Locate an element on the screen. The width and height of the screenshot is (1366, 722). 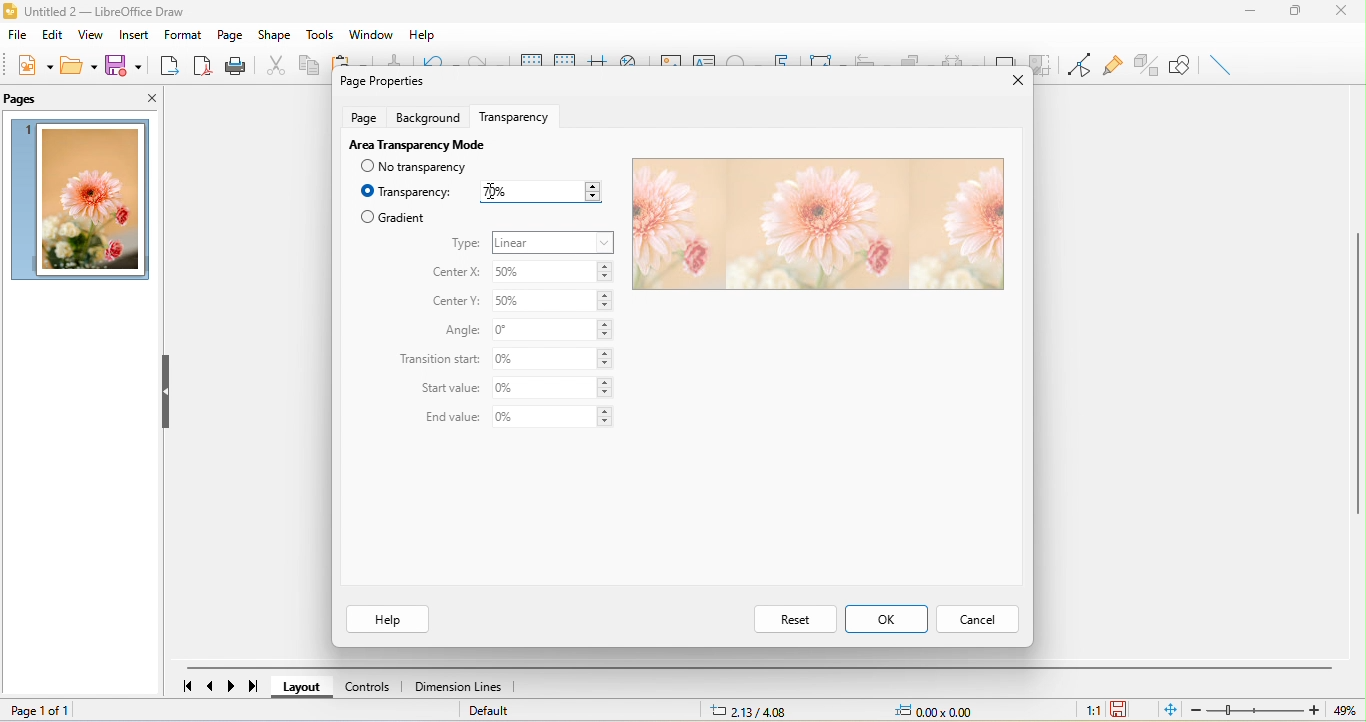
print is located at coordinates (235, 65).